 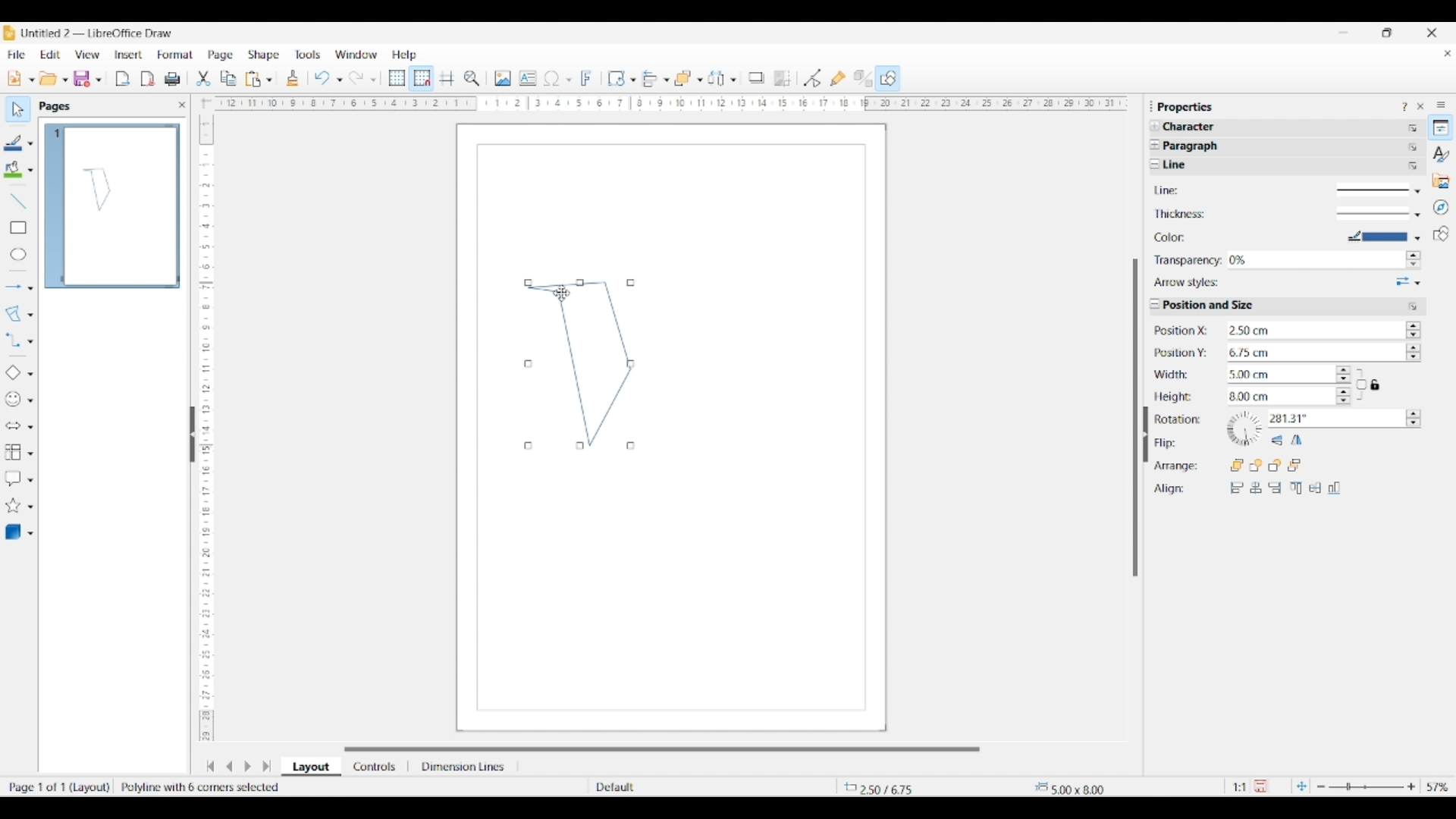 I want to click on Section title - Properties, so click(x=1187, y=106).